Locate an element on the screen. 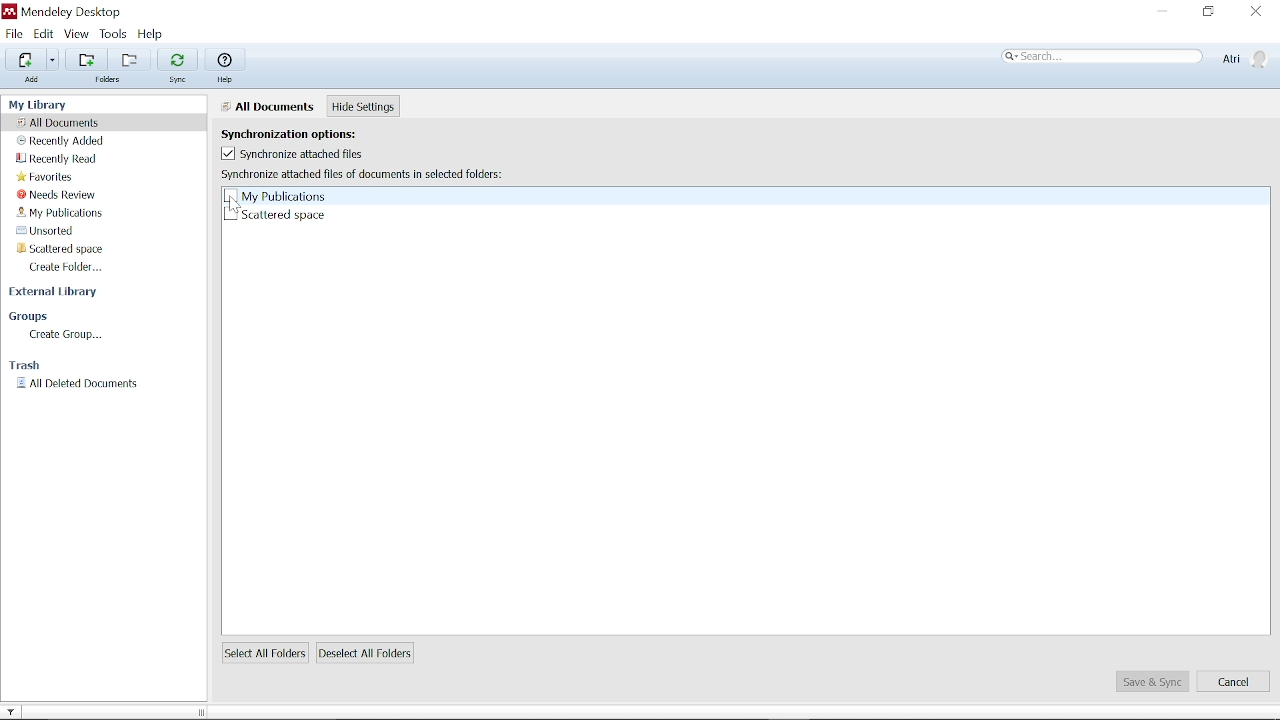 Image resolution: width=1280 pixels, height=720 pixels. Help is located at coordinates (228, 60).